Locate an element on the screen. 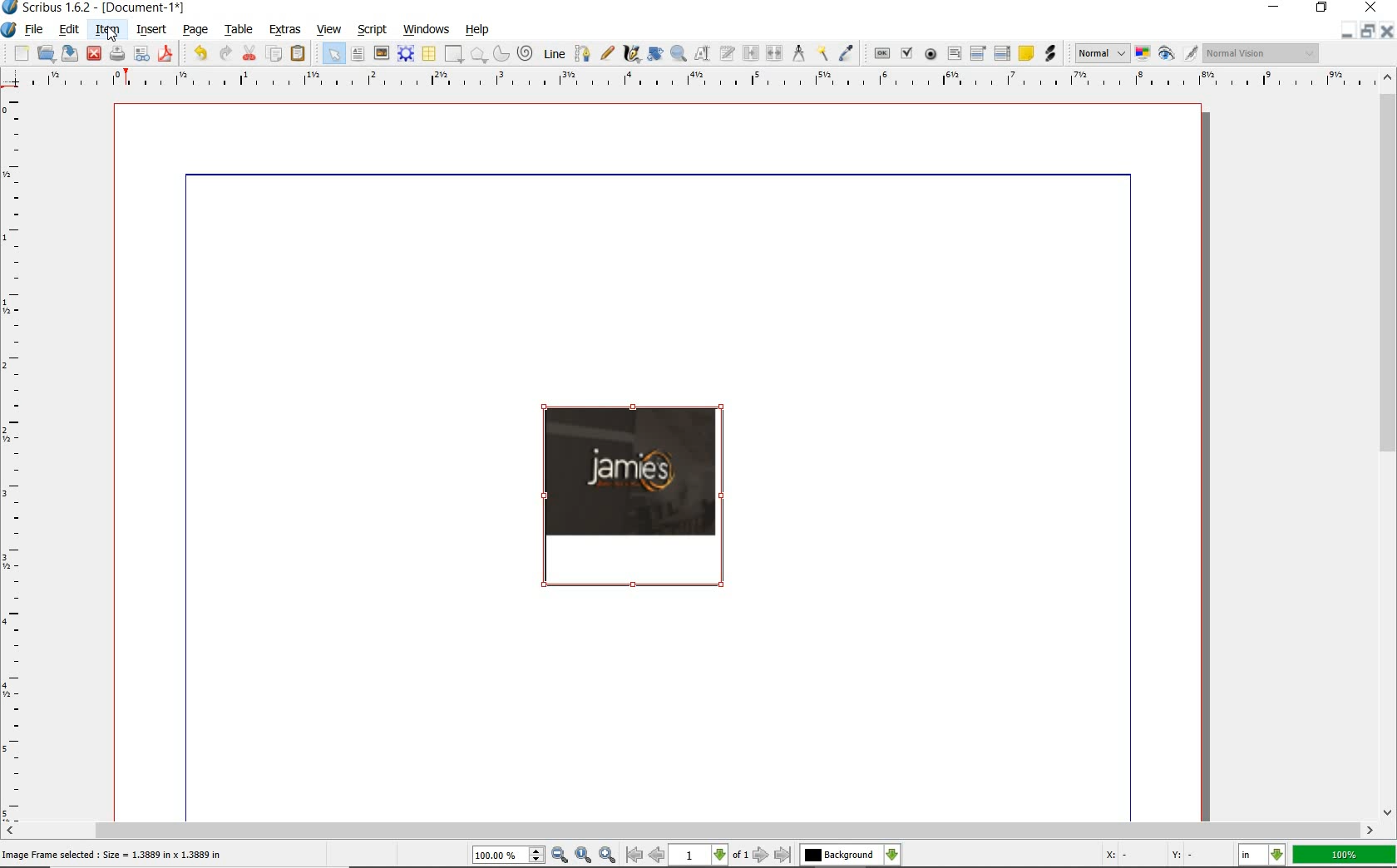 This screenshot has height=868, width=1397. extras is located at coordinates (285, 29).